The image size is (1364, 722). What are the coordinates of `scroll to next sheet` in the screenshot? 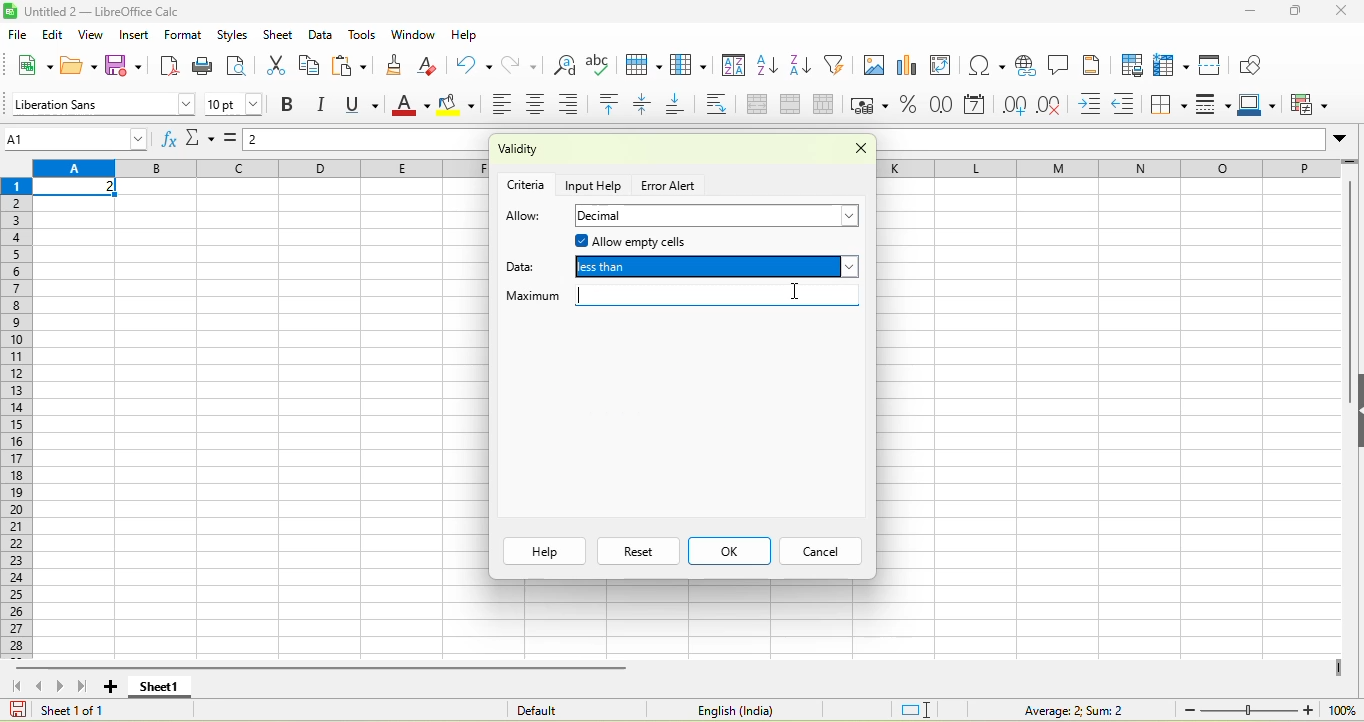 It's located at (63, 687).